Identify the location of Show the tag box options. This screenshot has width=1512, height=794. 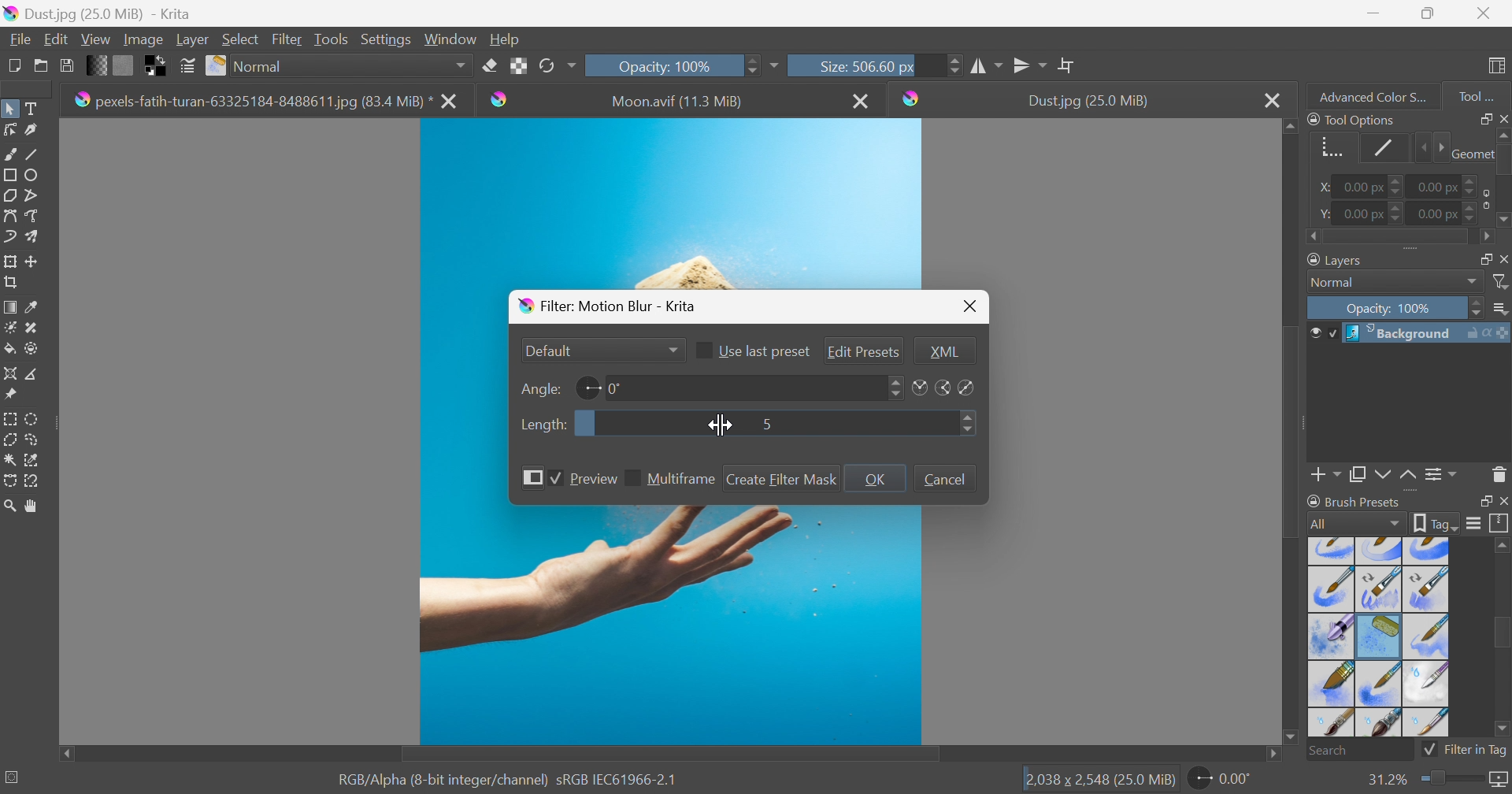
(1436, 521).